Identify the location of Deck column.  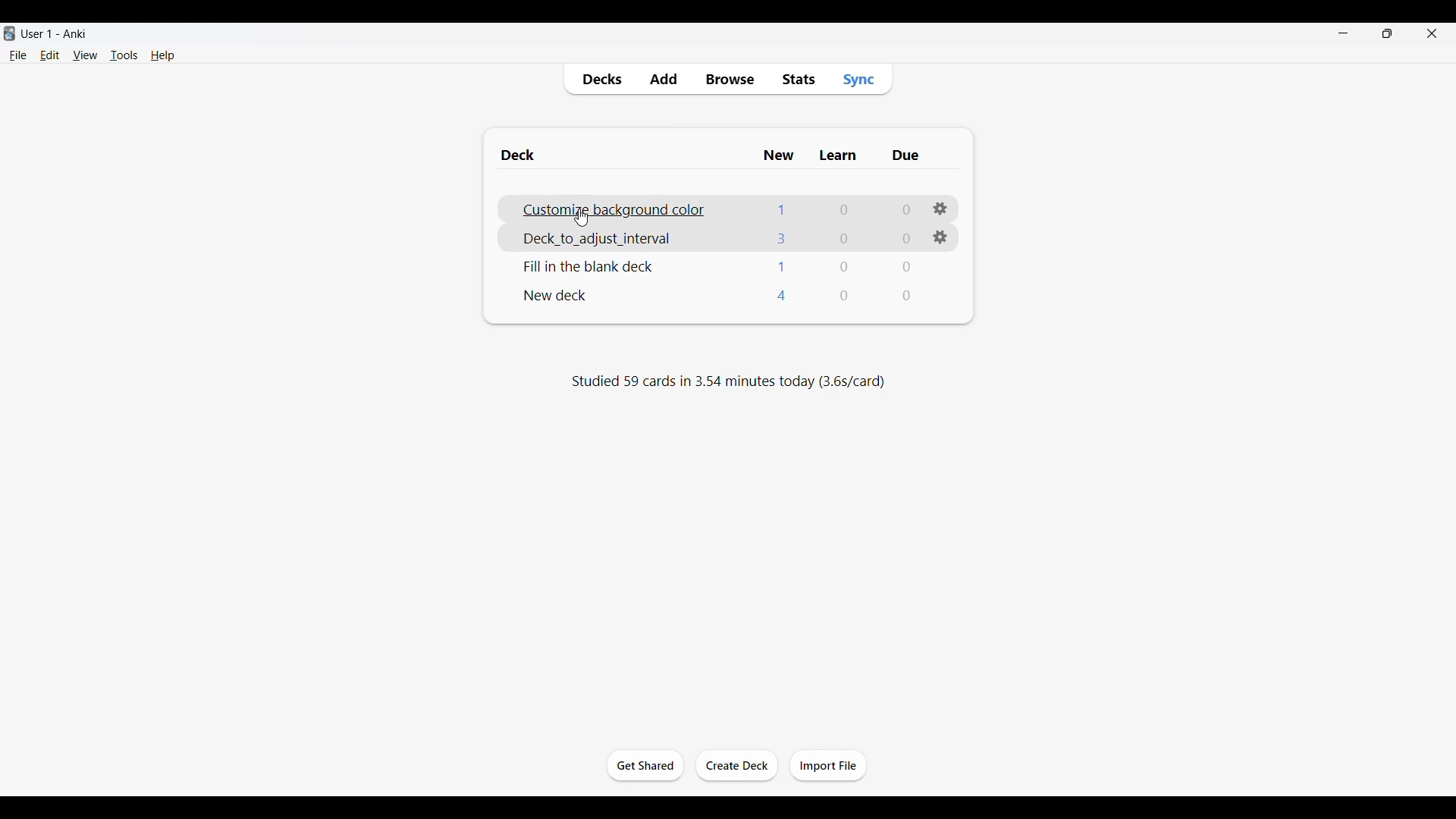
(623, 155).